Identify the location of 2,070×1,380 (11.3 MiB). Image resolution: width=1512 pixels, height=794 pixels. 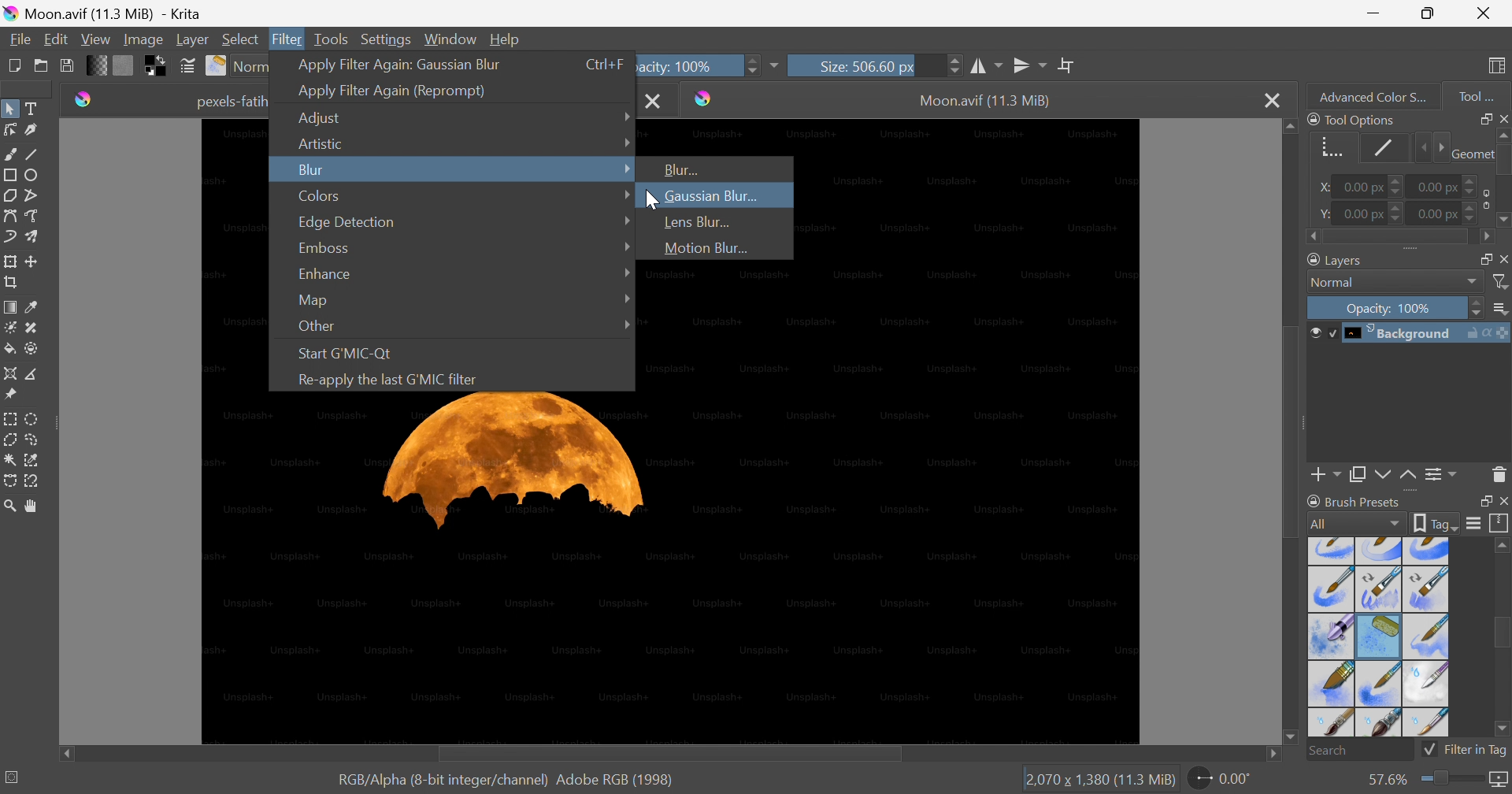
(1099, 781).